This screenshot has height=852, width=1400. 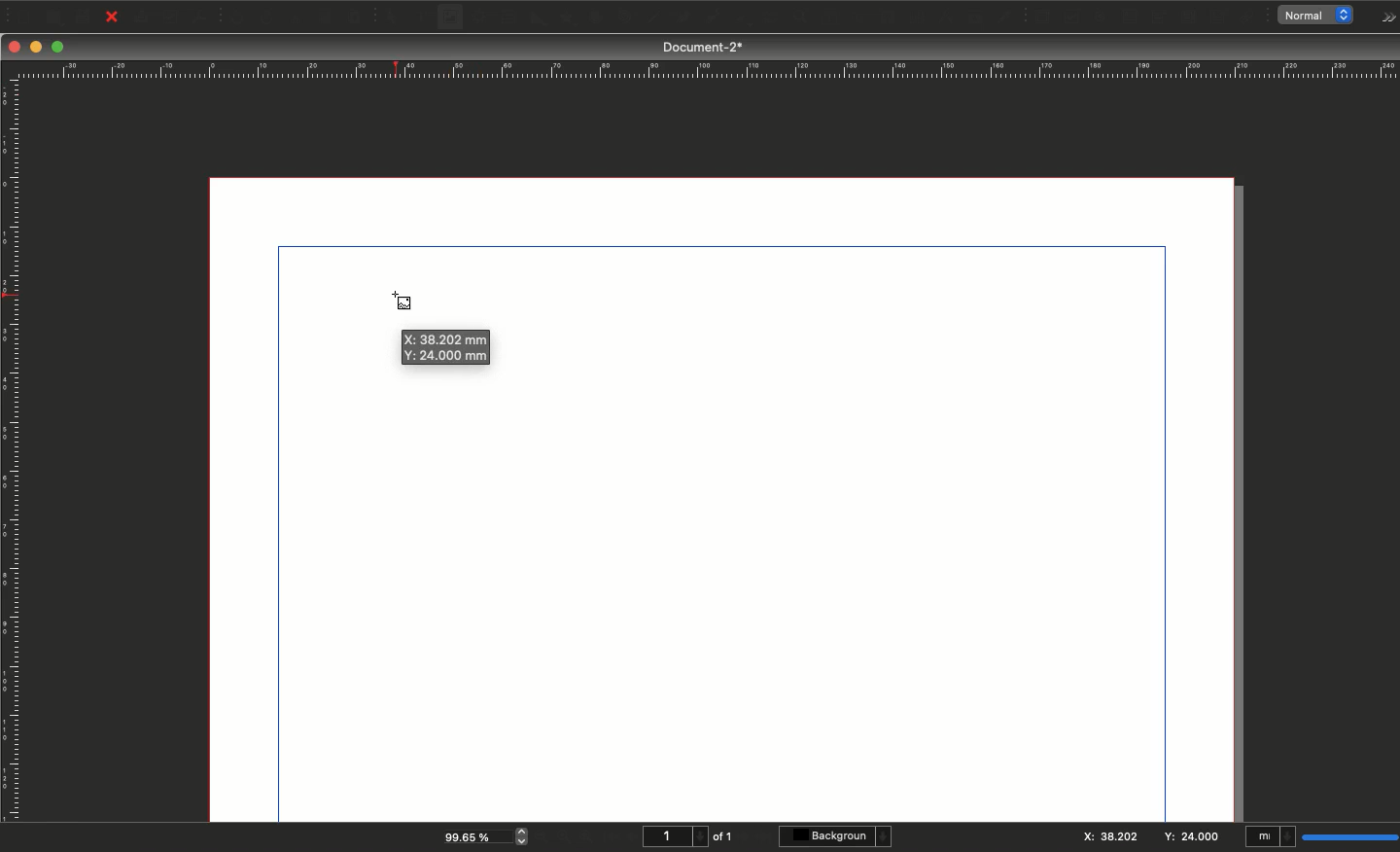 What do you see at coordinates (327, 18) in the screenshot?
I see `Copy` at bounding box center [327, 18].